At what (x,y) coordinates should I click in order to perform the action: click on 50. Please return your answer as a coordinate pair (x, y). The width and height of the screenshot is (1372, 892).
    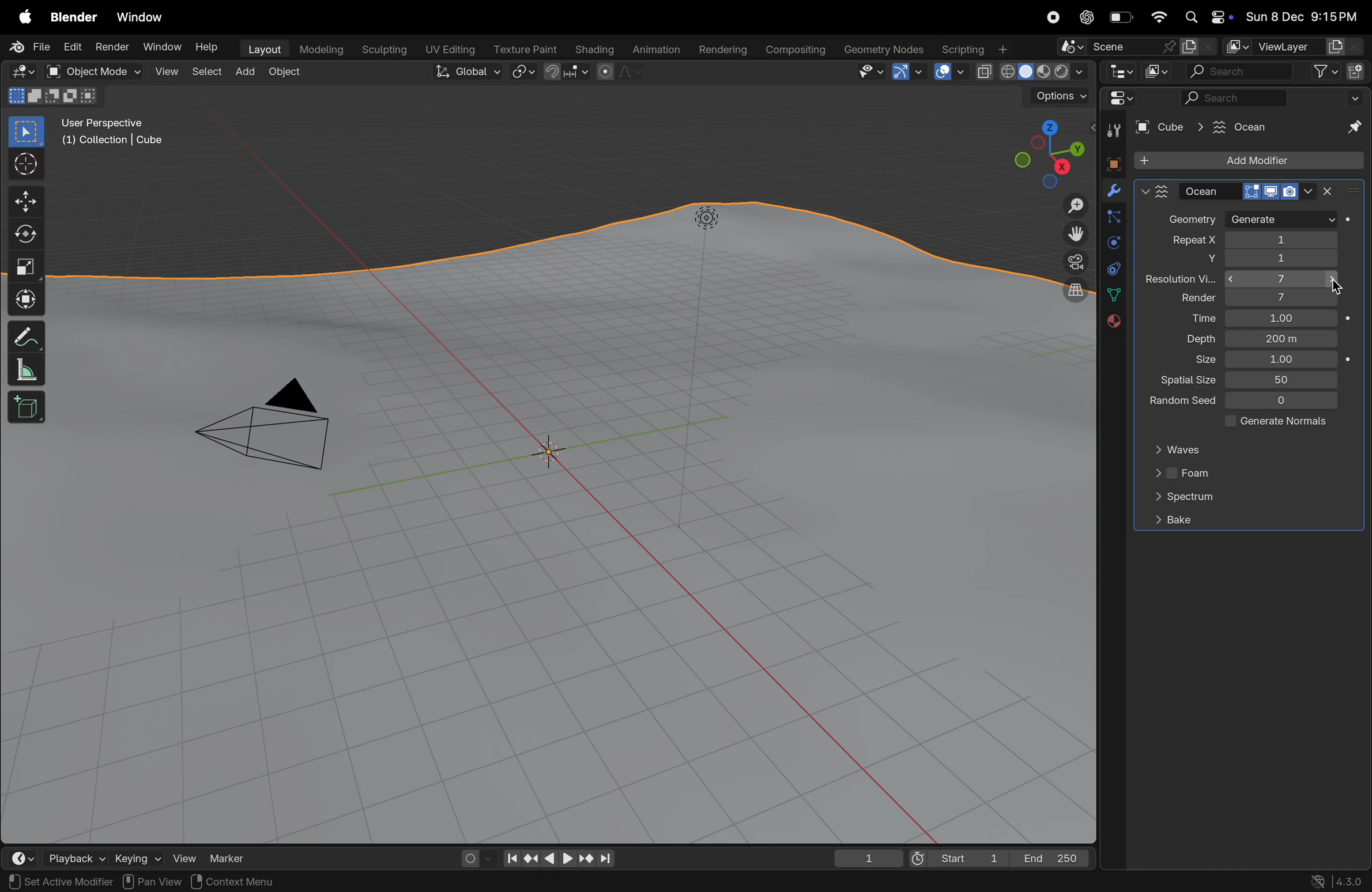
    Looking at the image, I should click on (1284, 379).